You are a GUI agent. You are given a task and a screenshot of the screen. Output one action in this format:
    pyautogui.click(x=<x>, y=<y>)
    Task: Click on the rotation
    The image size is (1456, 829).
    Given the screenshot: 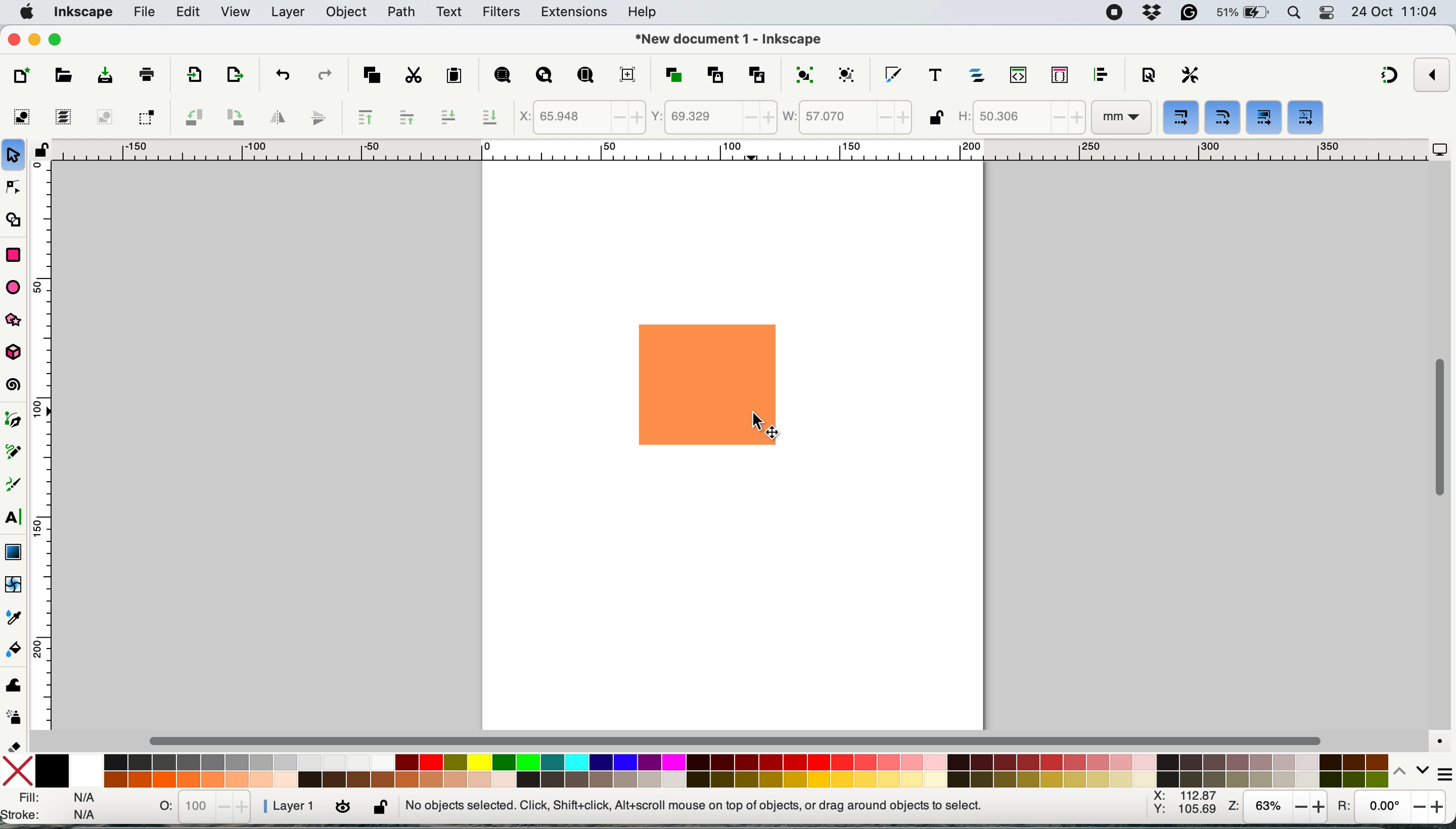 What is the action you would take?
    pyautogui.click(x=1389, y=810)
    